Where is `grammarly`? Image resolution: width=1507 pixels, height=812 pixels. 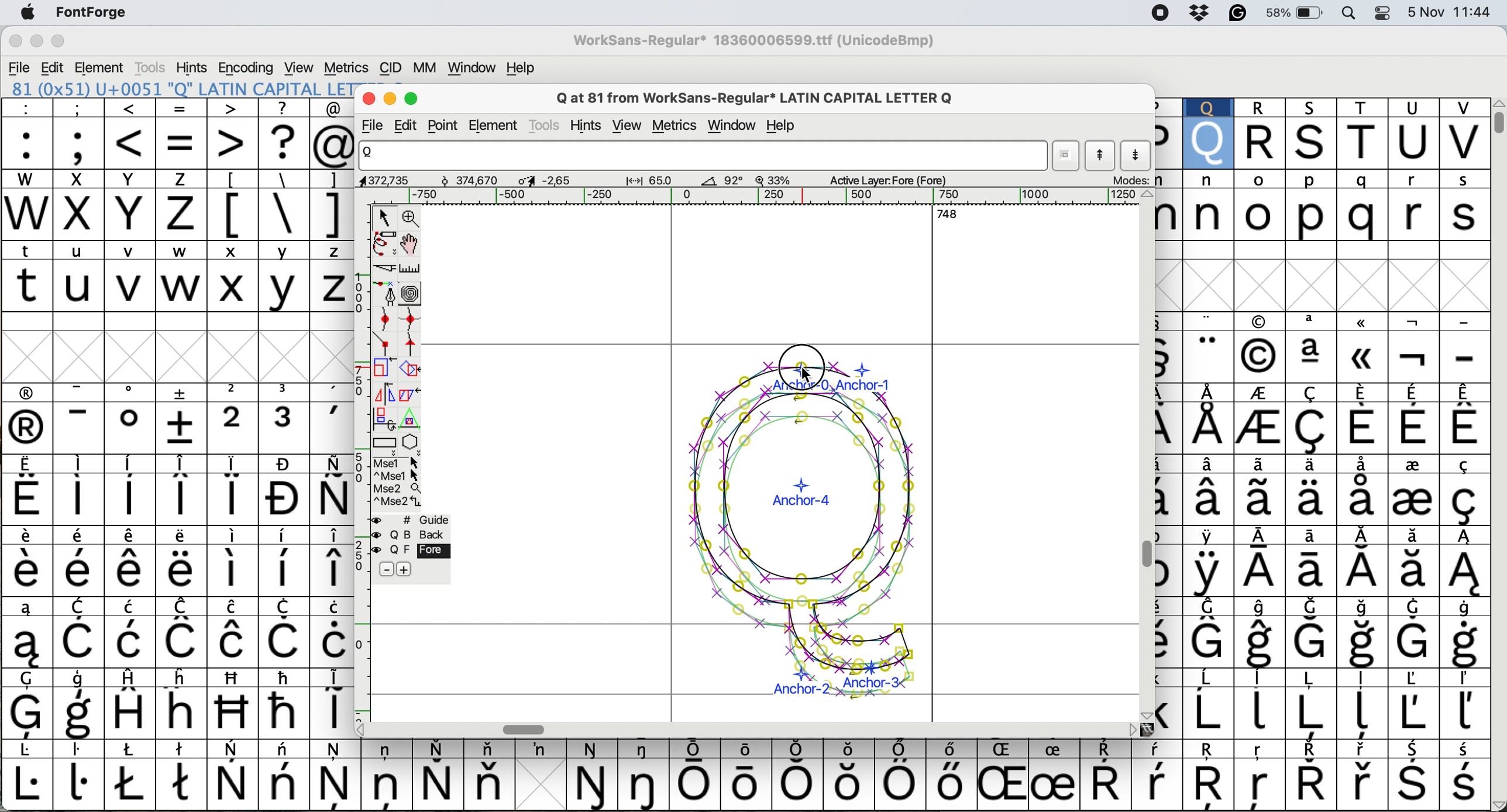 grammarly is located at coordinates (1238, 14).